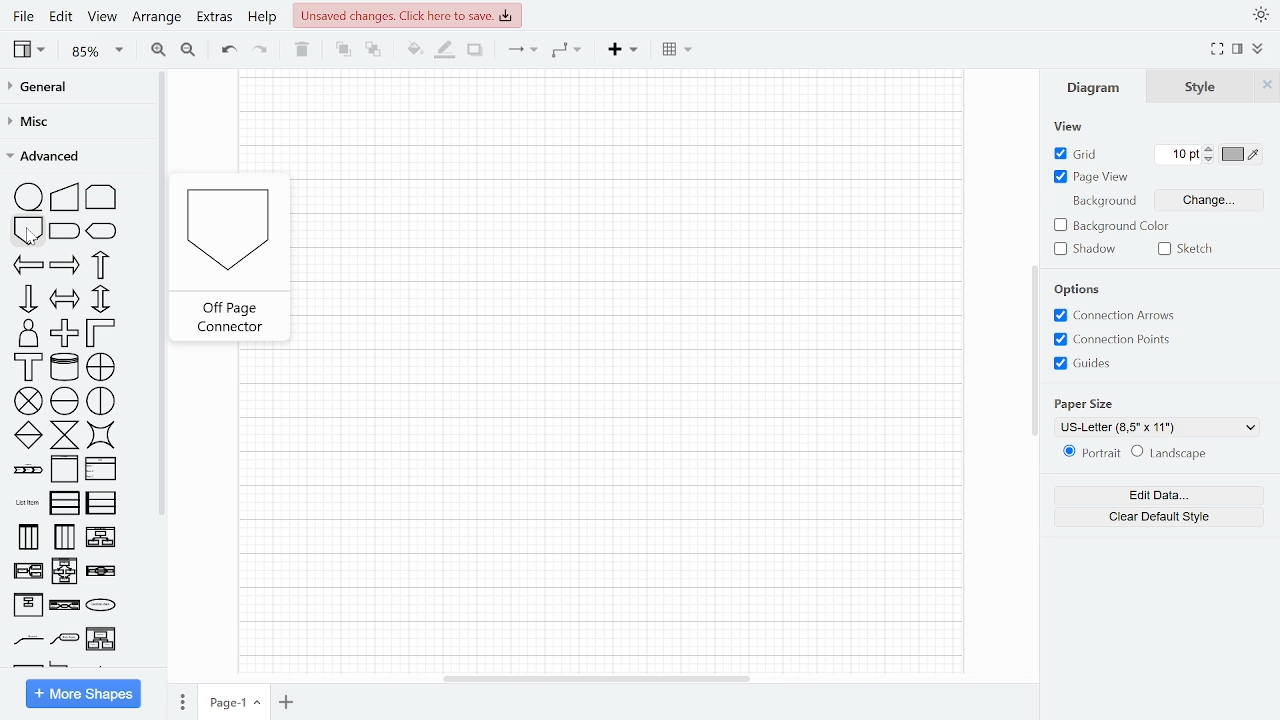 The width and height of the screenshot is (1280, 720). I want to click on tree container, so click(102, 571).